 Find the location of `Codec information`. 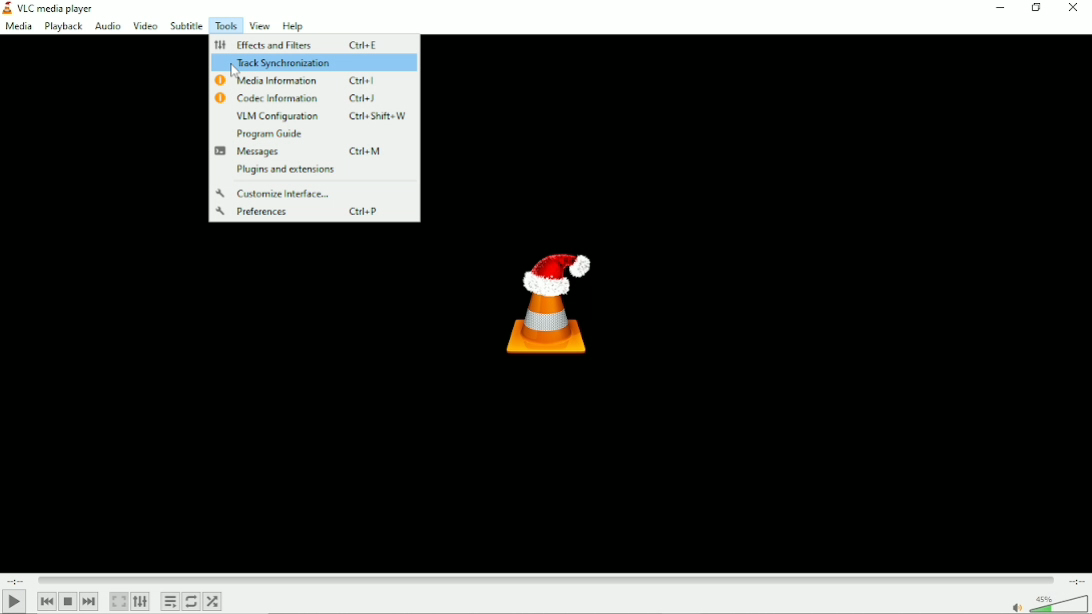

Codec information is located at coordinates (312, 100).